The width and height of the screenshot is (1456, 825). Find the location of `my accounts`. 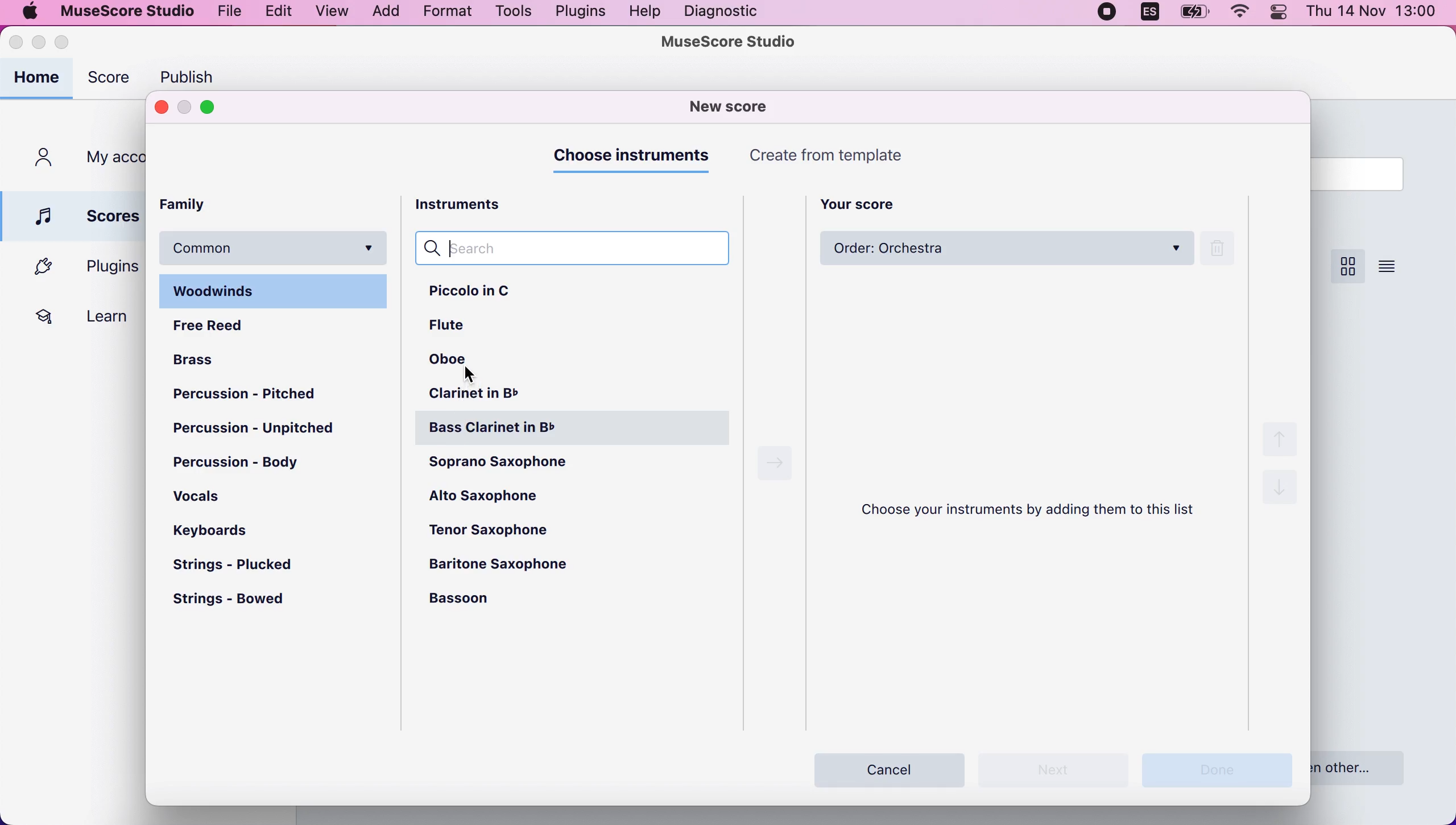

my accounts is located at coordinates (83, 159).